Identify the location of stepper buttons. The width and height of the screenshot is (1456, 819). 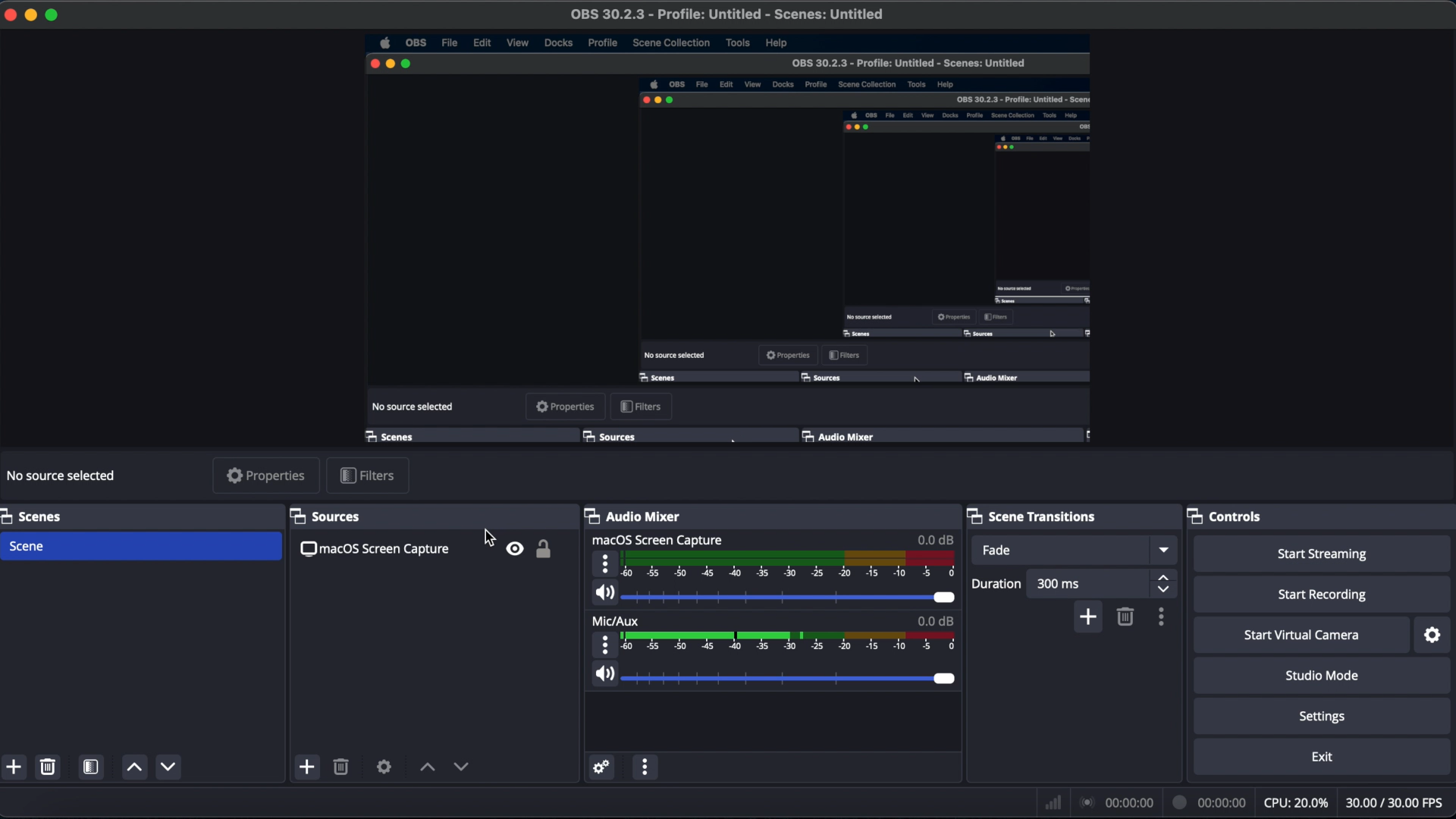
(1163, 584).